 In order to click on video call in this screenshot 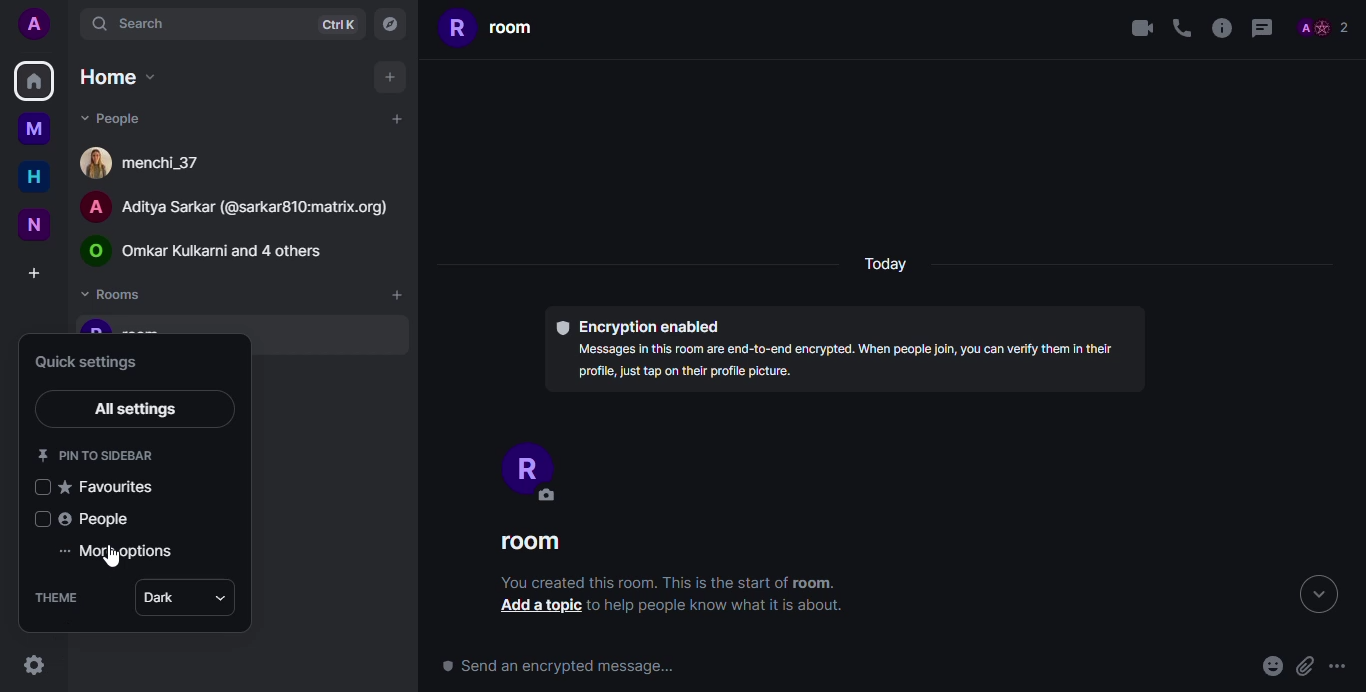, I will do `click(1140, 28)`.